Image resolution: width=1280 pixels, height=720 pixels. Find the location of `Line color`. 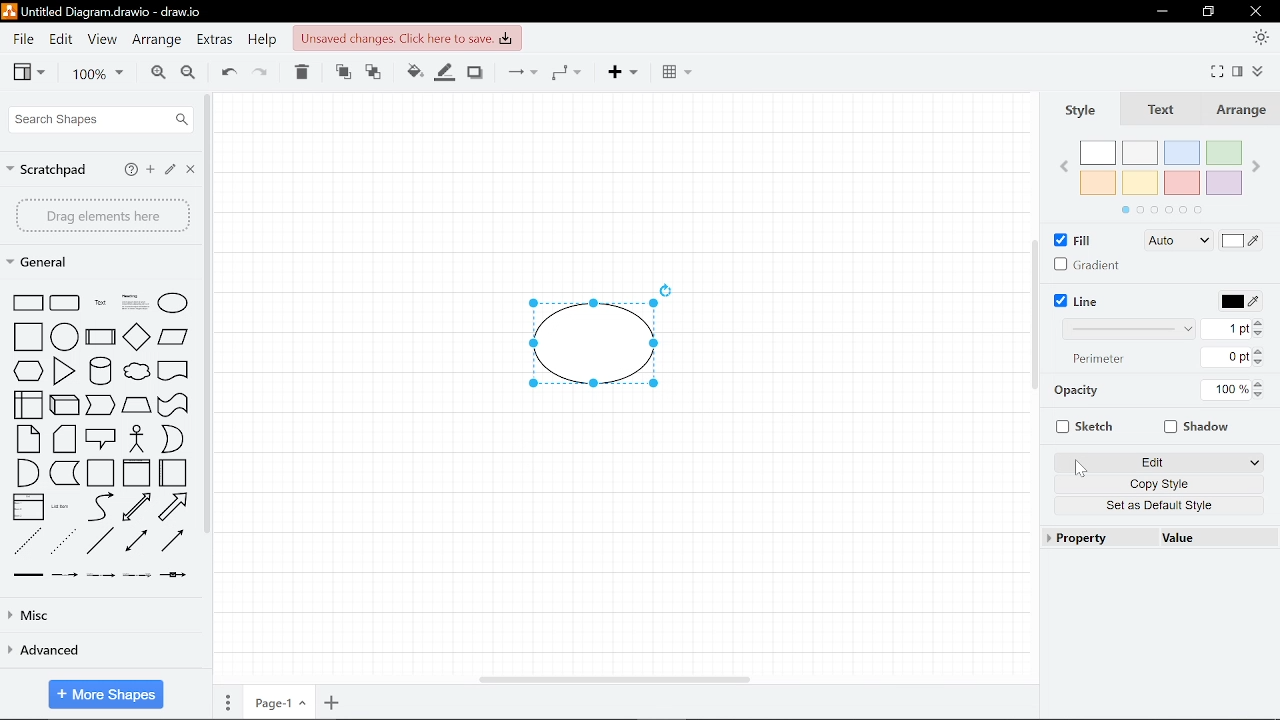

Line color is located at coordinates (1234, 300).